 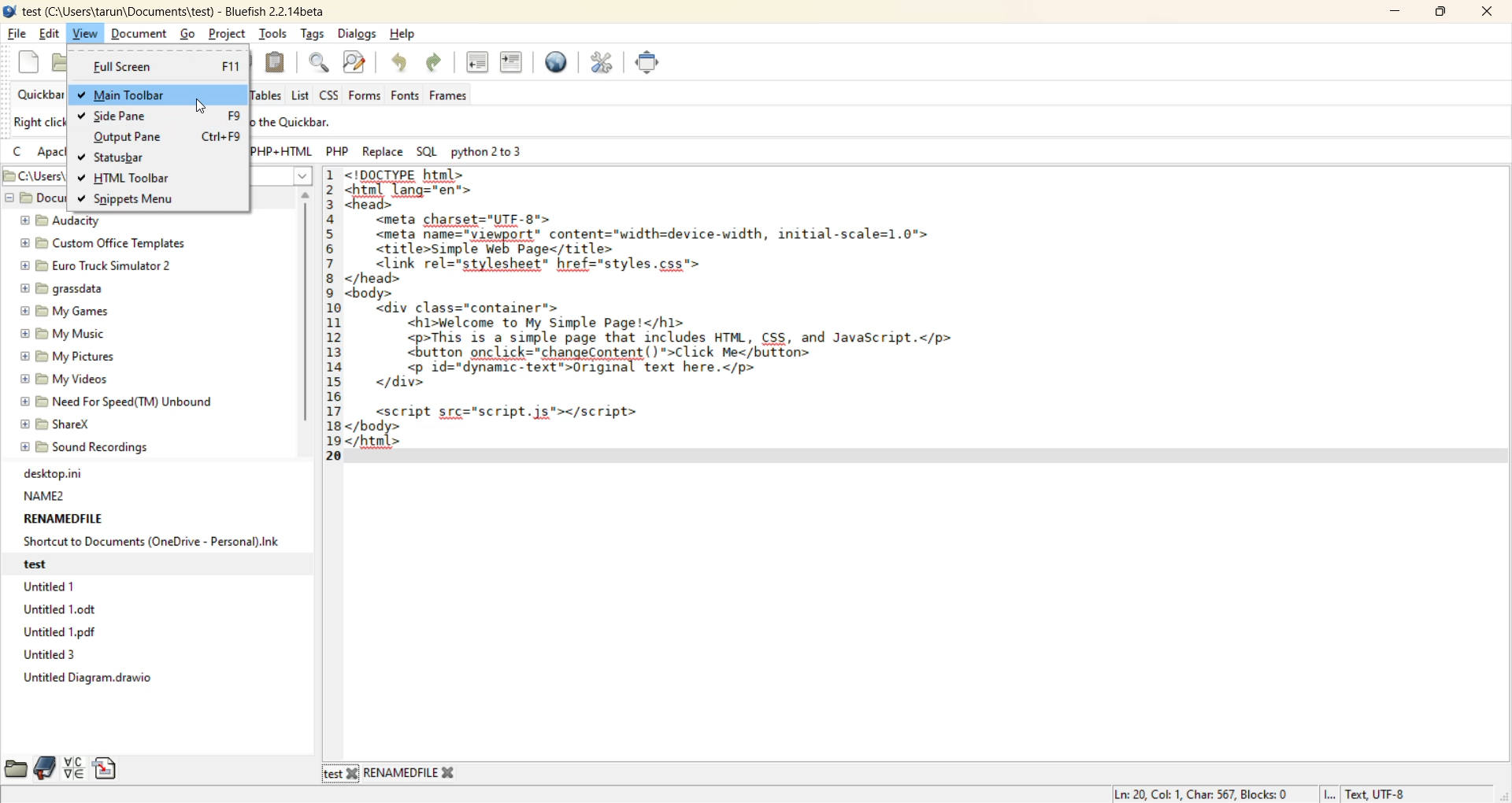 I want to click on fonts, so click(x=409, y=96).